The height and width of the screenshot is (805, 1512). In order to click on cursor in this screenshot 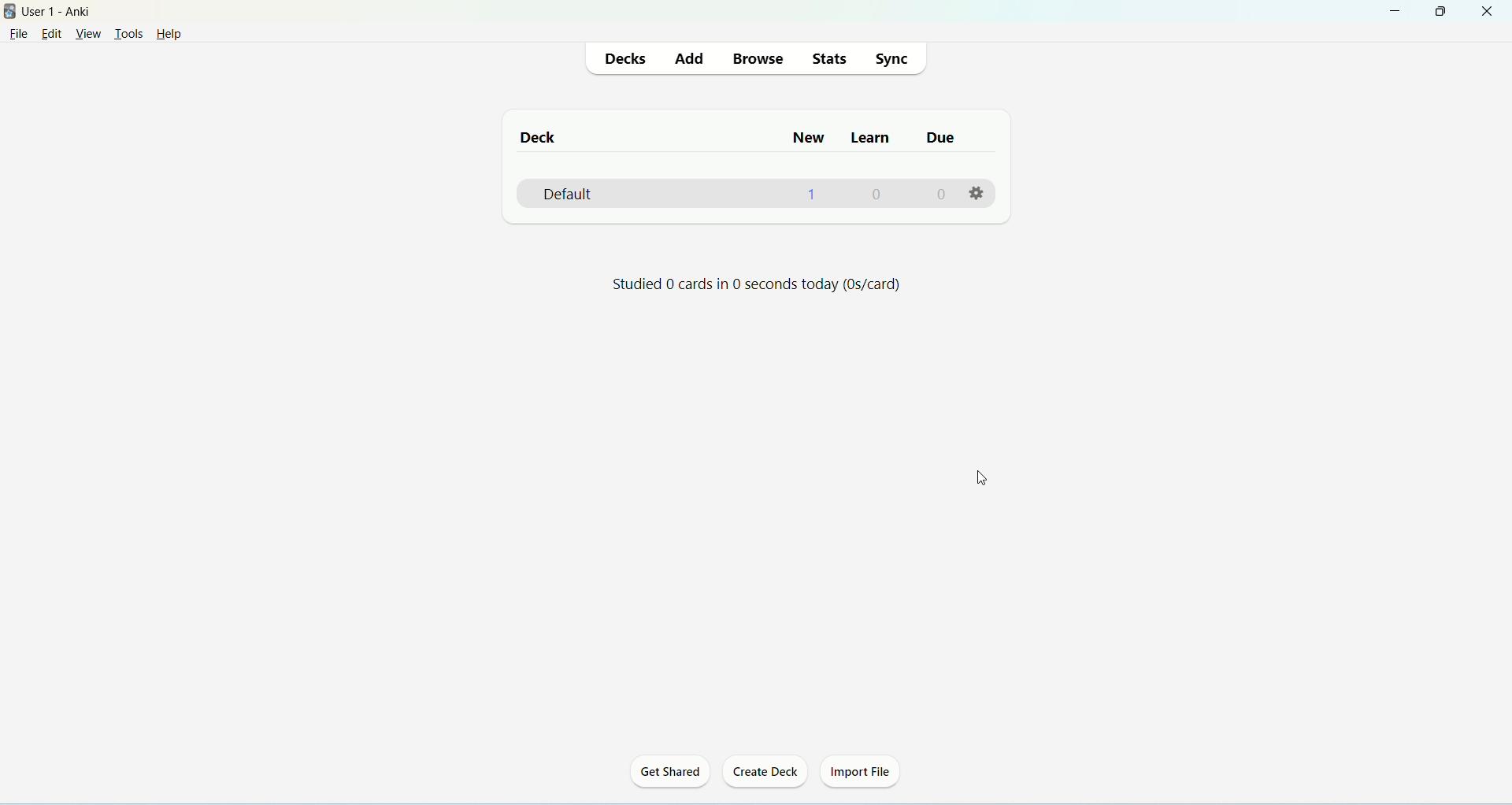, I will do `click(988, 484)`.